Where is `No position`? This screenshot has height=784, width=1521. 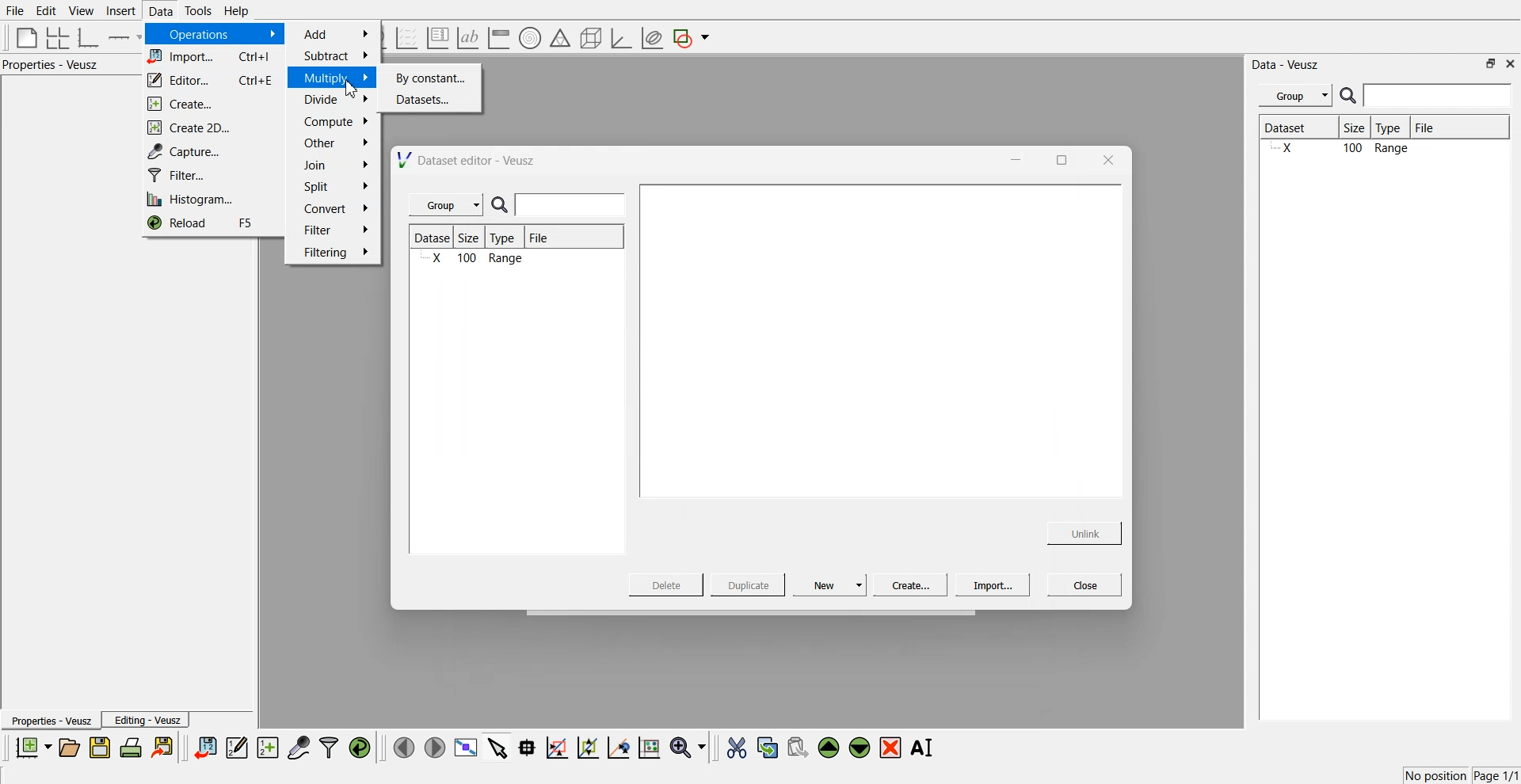 No position is located at coordinates (1438, 774).